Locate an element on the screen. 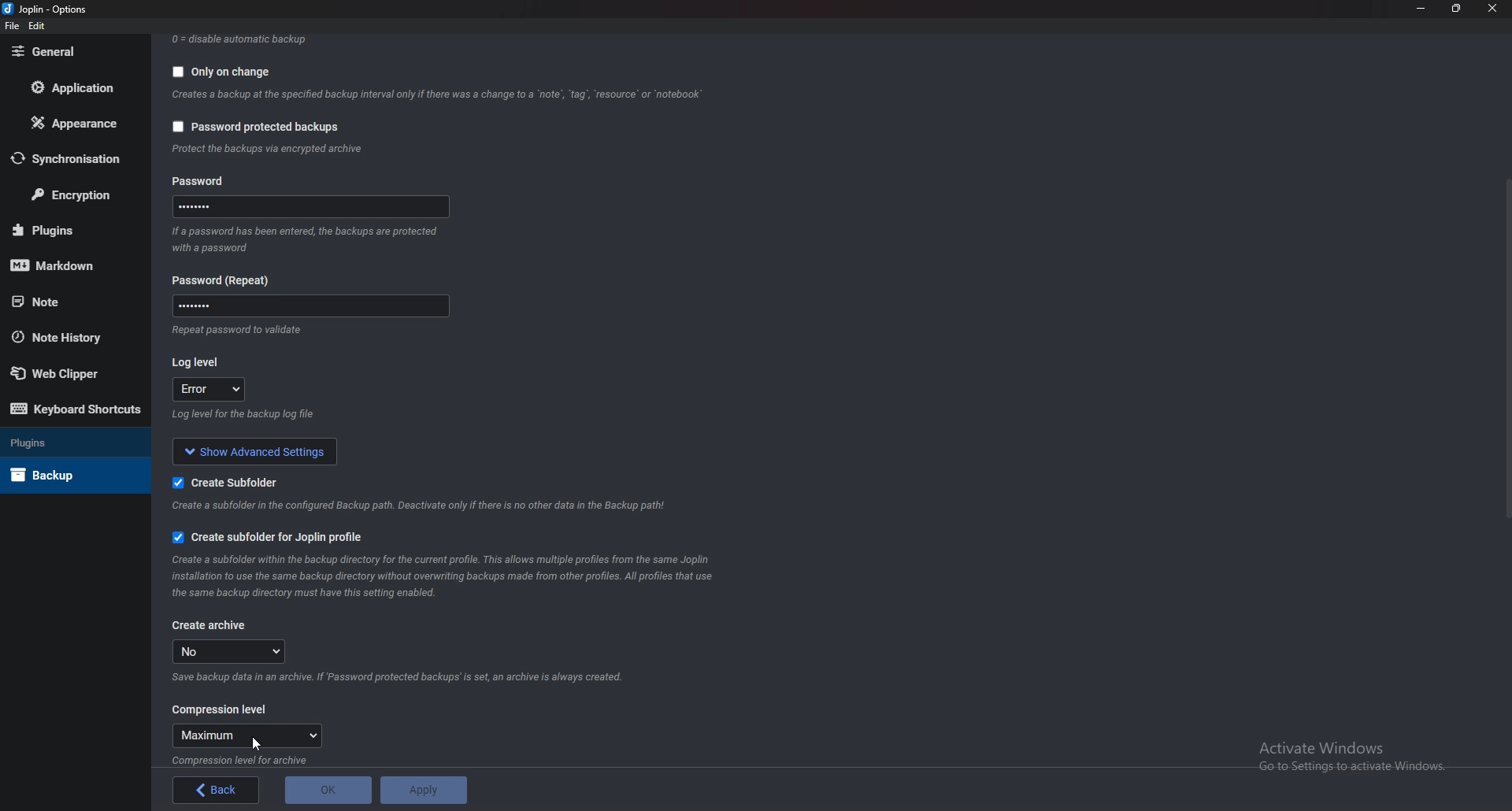 The height and width of the screenshot is (811, 1512). info is located at coordinates (278, 149).